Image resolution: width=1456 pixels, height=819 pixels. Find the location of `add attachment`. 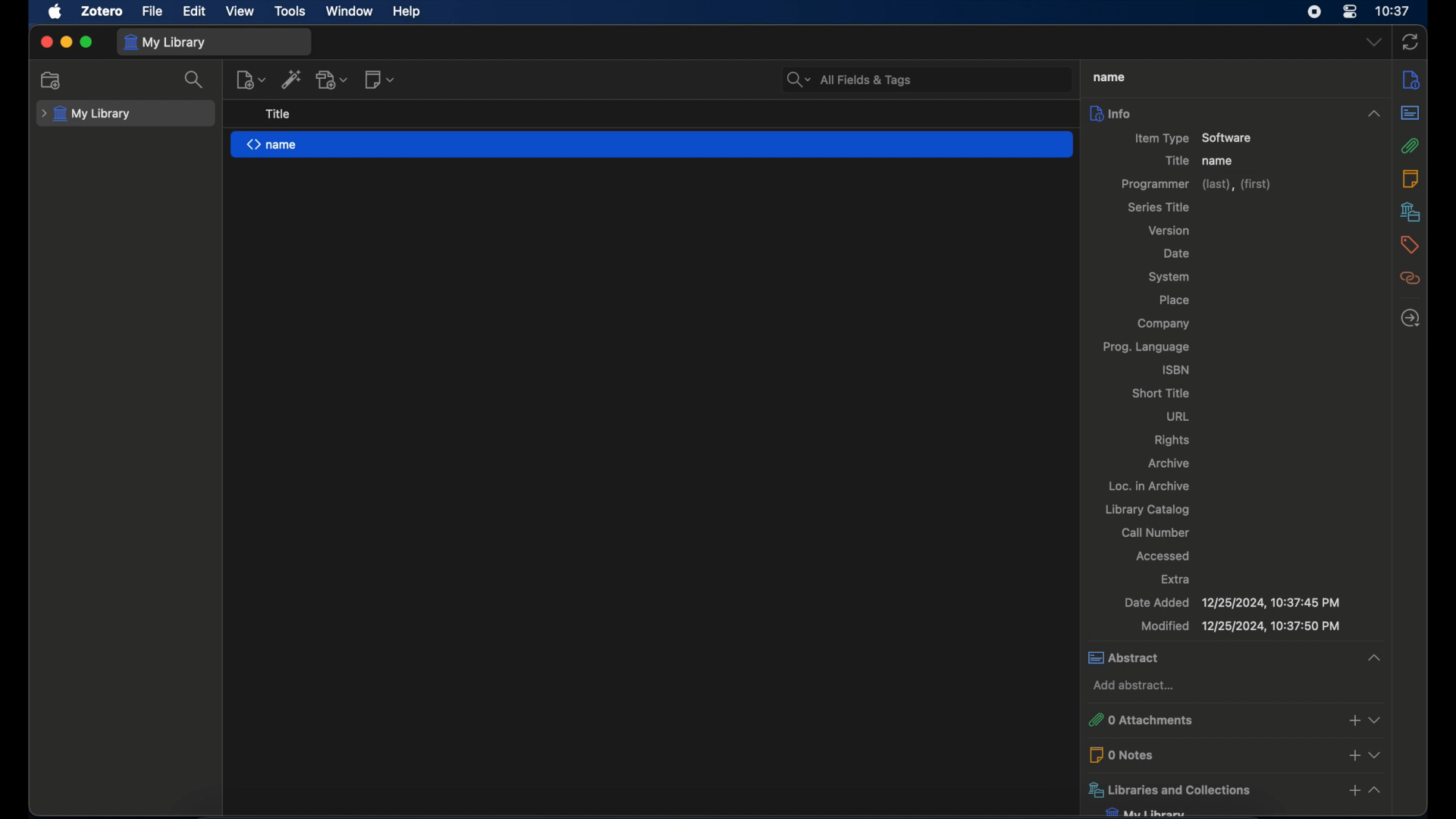

add attachment is located at coordinates (332, 80).